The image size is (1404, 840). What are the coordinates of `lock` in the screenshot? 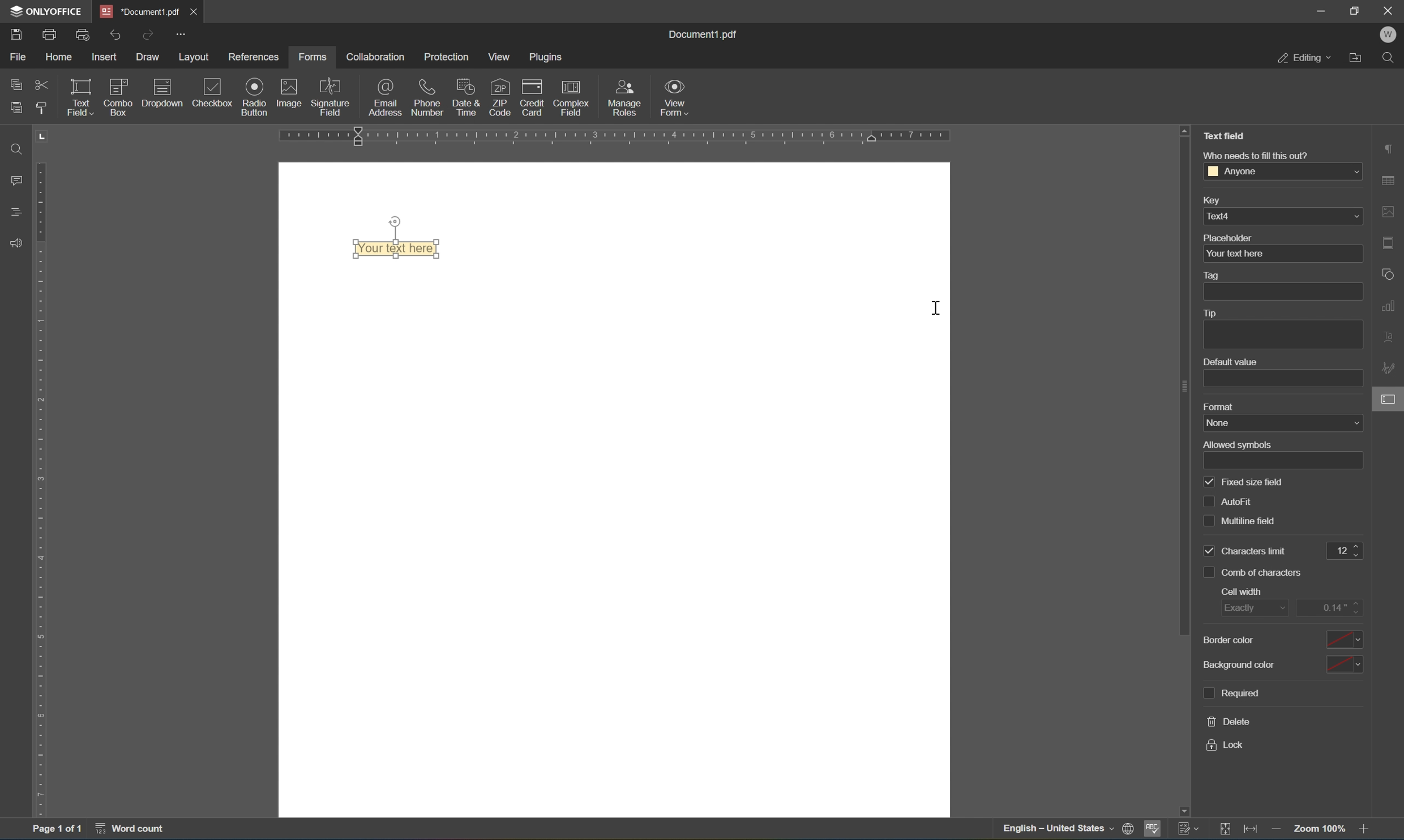 It's located at (1231, 745).